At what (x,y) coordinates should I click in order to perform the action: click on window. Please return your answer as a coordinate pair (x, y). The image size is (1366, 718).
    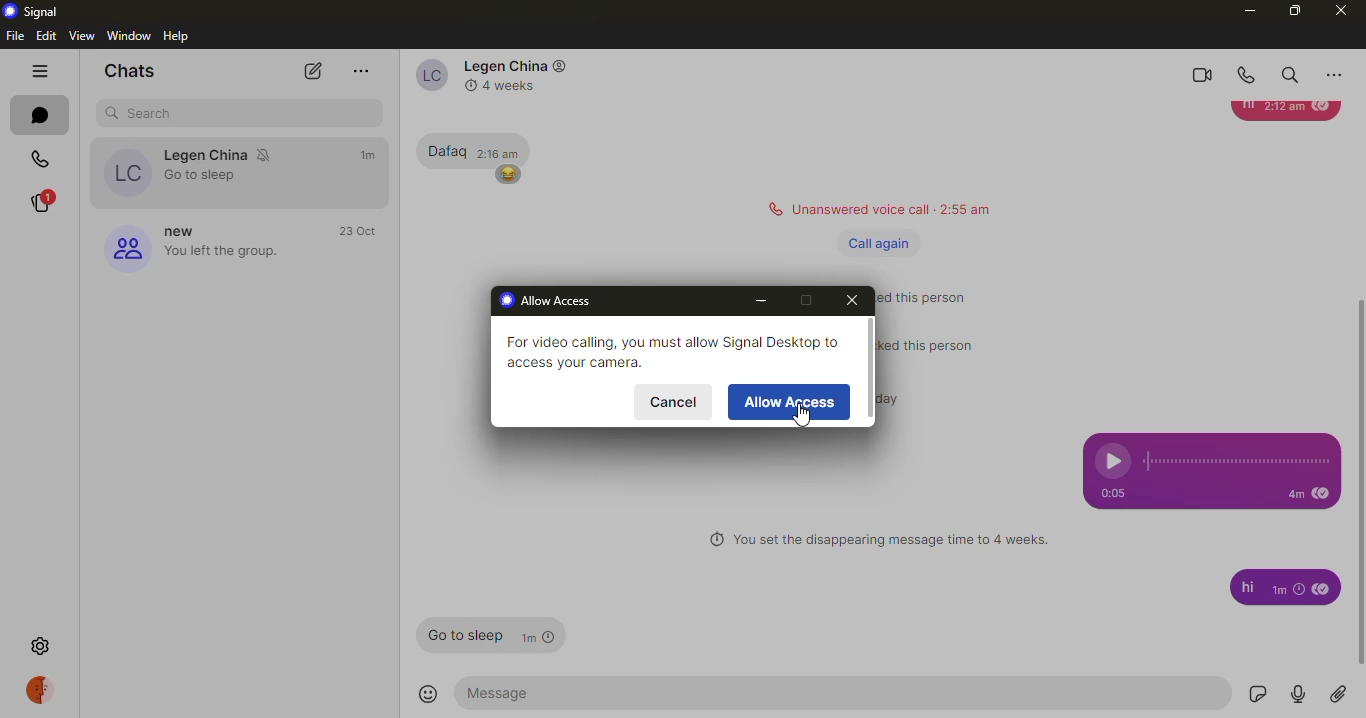
    Looking at the image, I should click on (129, 35).